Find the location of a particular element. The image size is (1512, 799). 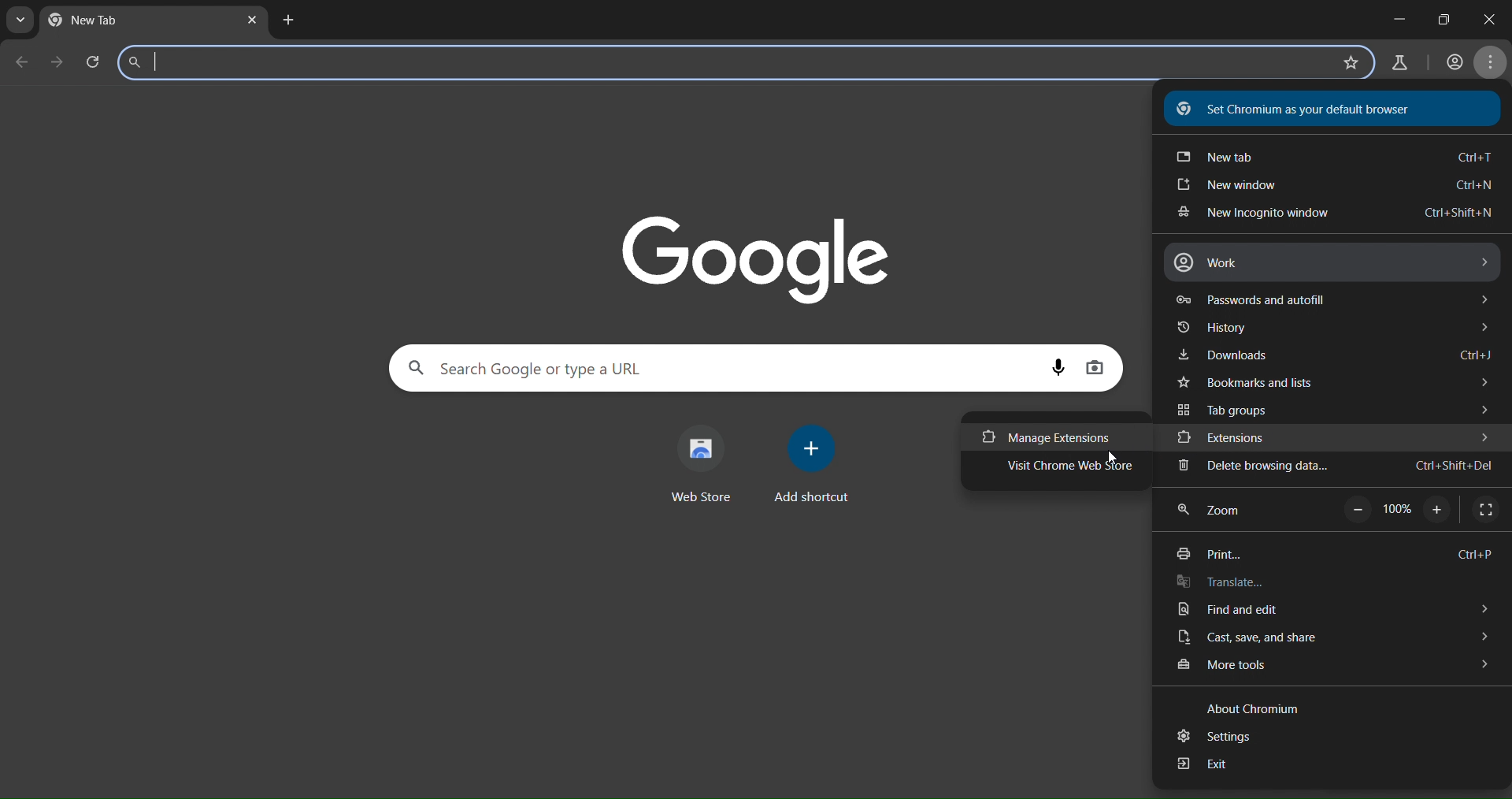

Google  is located at coordinates (757, 250).